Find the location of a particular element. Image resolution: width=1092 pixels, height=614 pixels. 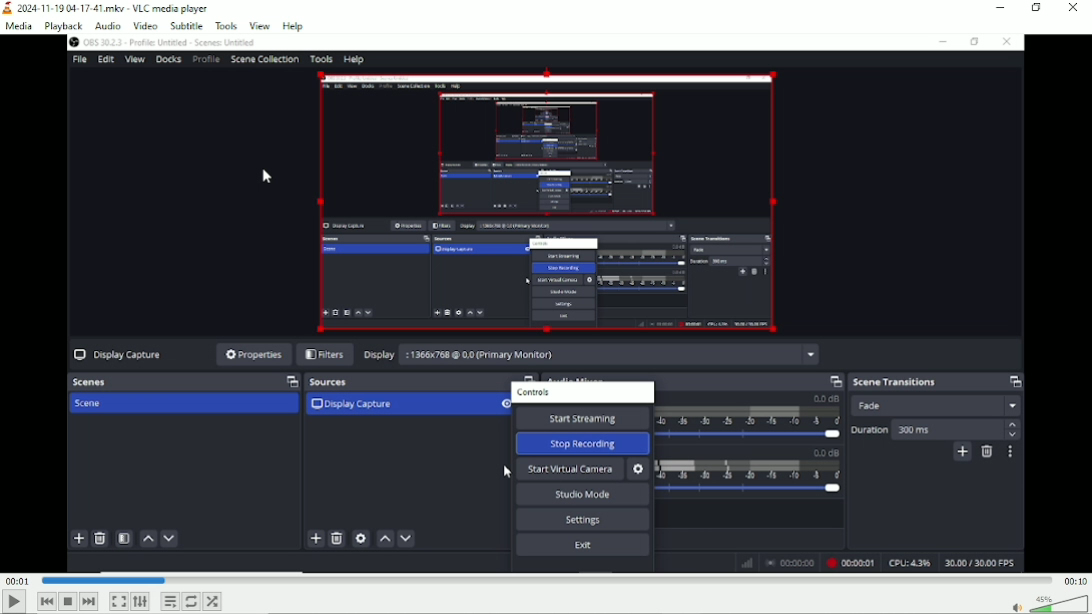

Cursor is located at coordinates (266, 177).